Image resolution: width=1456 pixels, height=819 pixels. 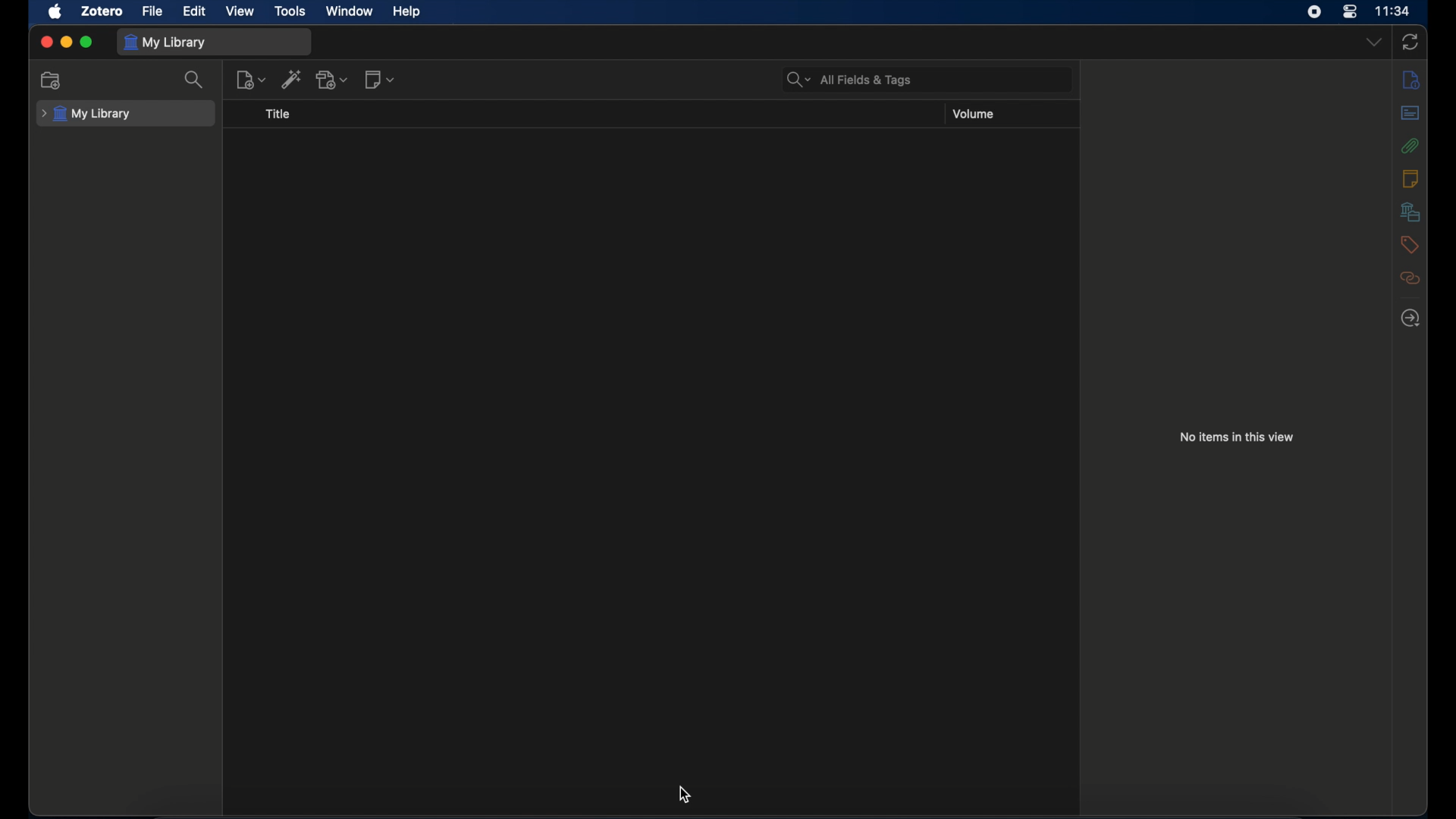 I want to click on control center, so click(x=1350, y=12).